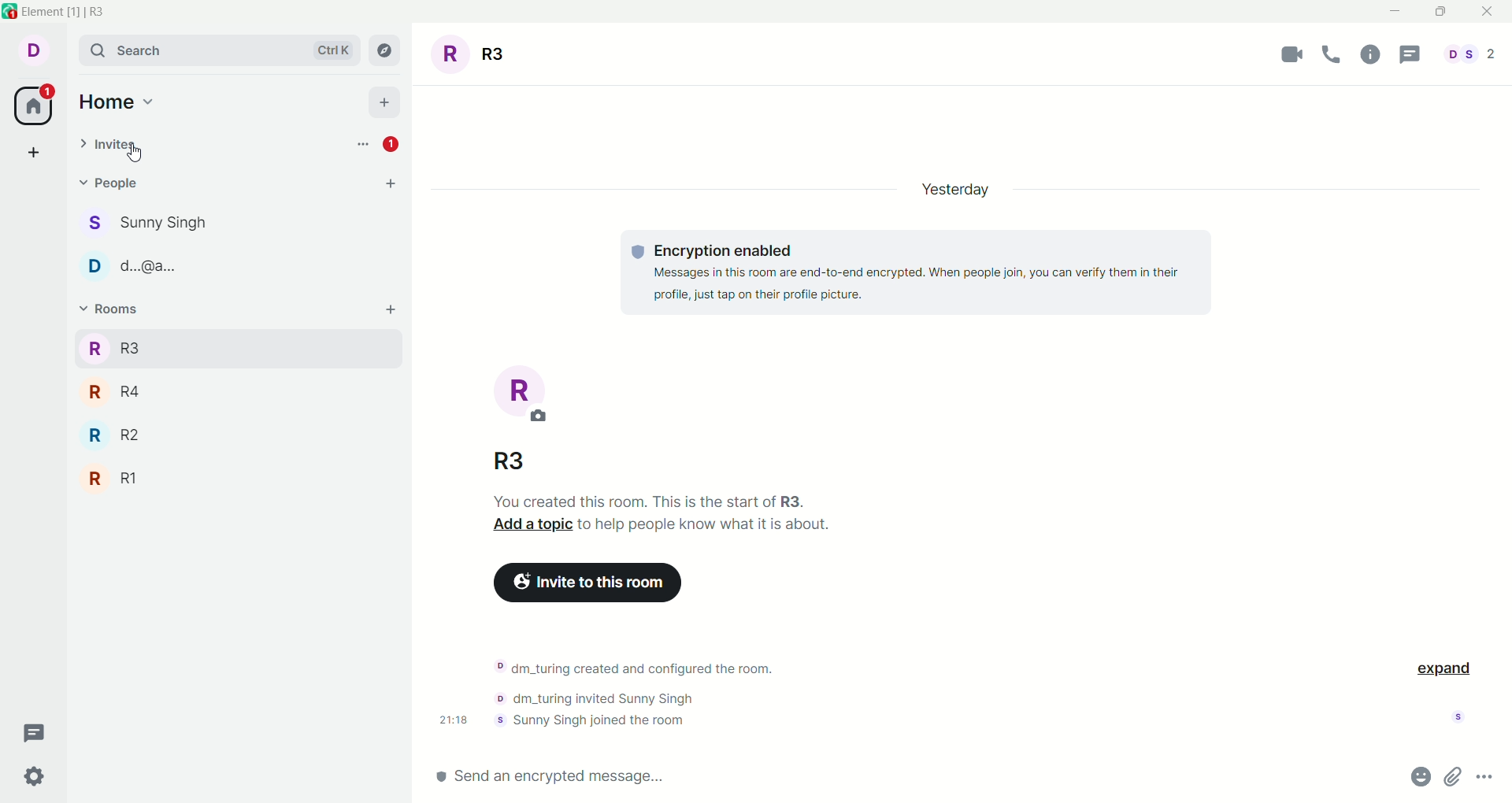  Describe the element at coordinates (36, 731) in the screenshot. I see `threads` at that location.